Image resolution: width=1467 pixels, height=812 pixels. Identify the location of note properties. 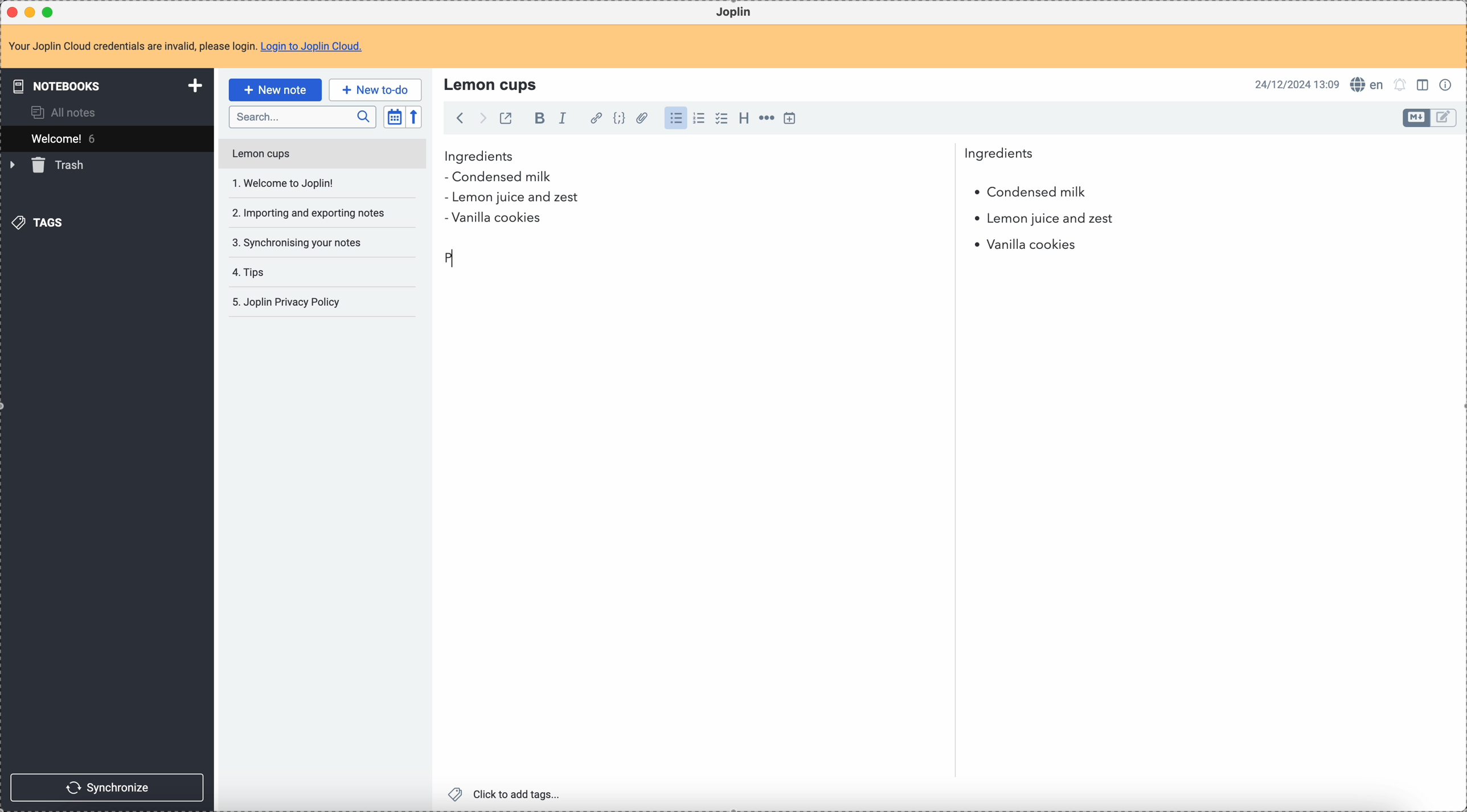
(1448, 84).